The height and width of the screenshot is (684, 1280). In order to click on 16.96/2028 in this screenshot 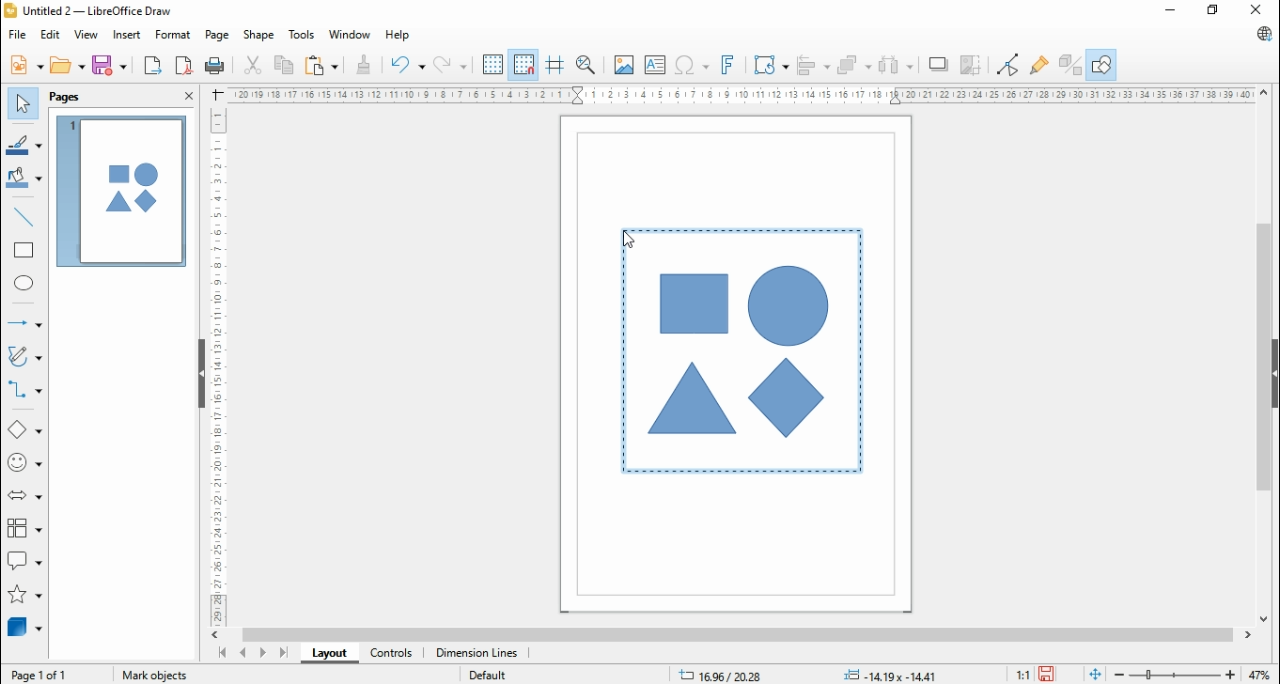, I will do `click(717, 677)`.